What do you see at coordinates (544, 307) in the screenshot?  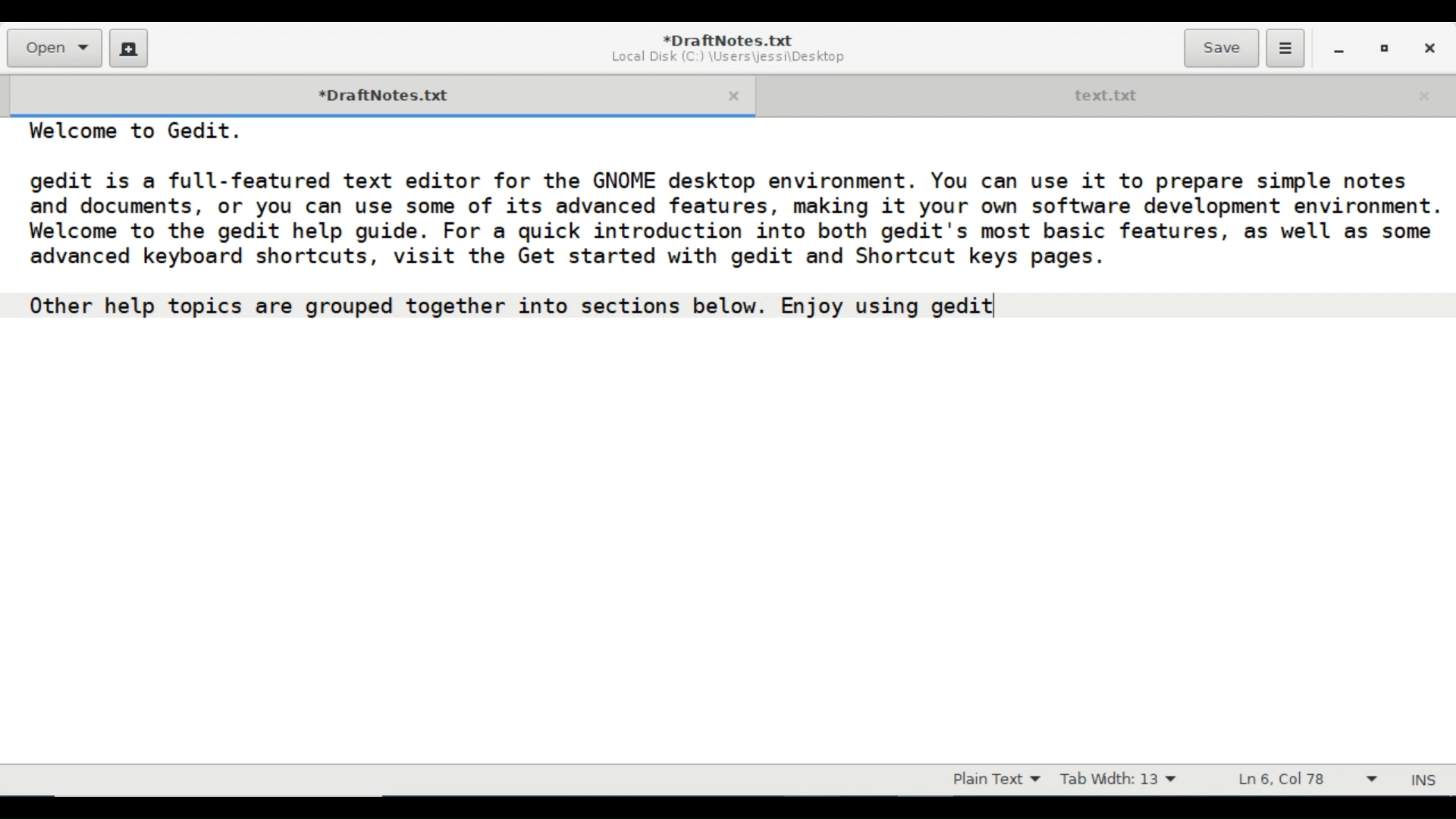 I see `Other help topics are grouped together into sections below. Enjoy using gedit]` at bounding box center [544, 307].